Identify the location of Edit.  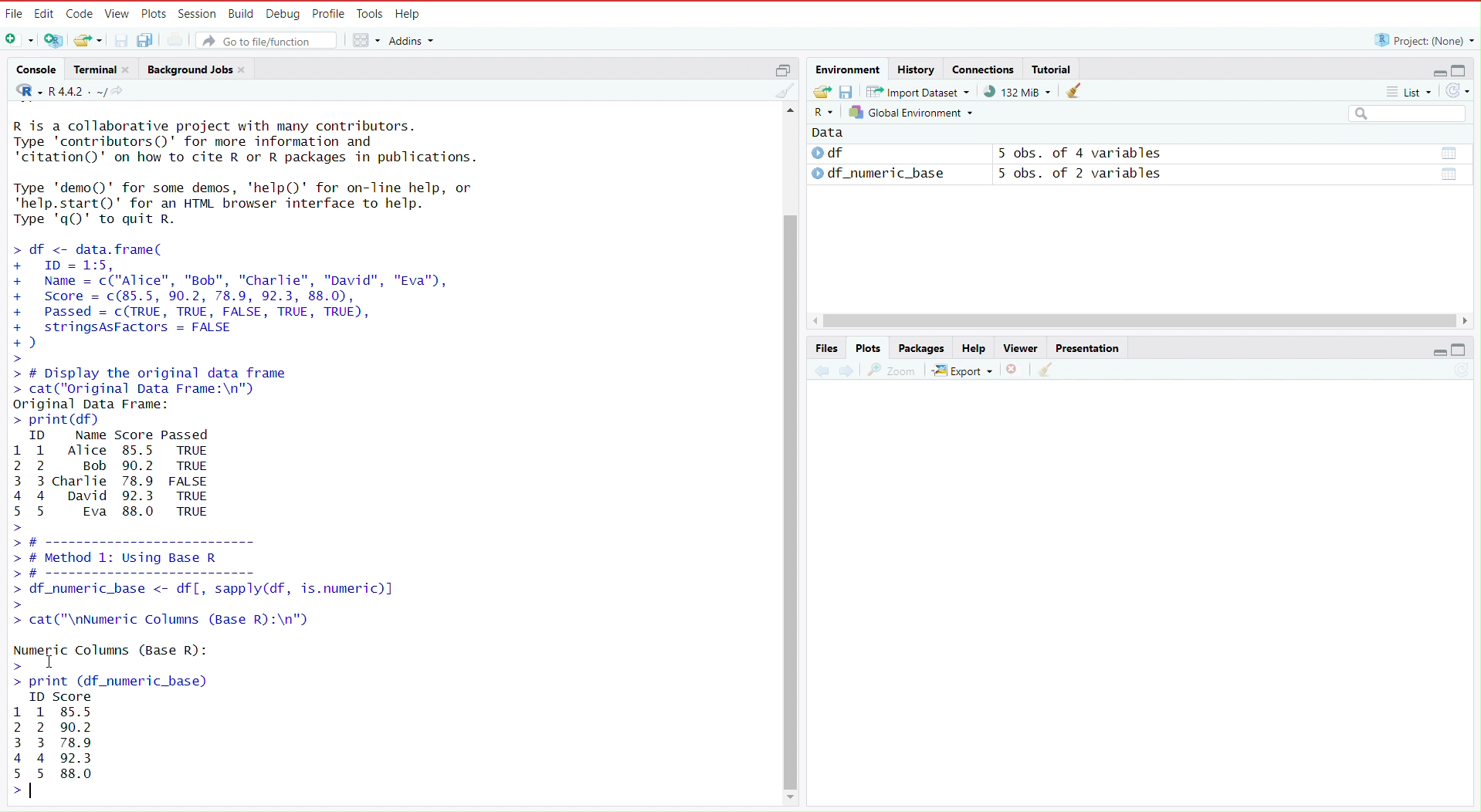
(44, 11).